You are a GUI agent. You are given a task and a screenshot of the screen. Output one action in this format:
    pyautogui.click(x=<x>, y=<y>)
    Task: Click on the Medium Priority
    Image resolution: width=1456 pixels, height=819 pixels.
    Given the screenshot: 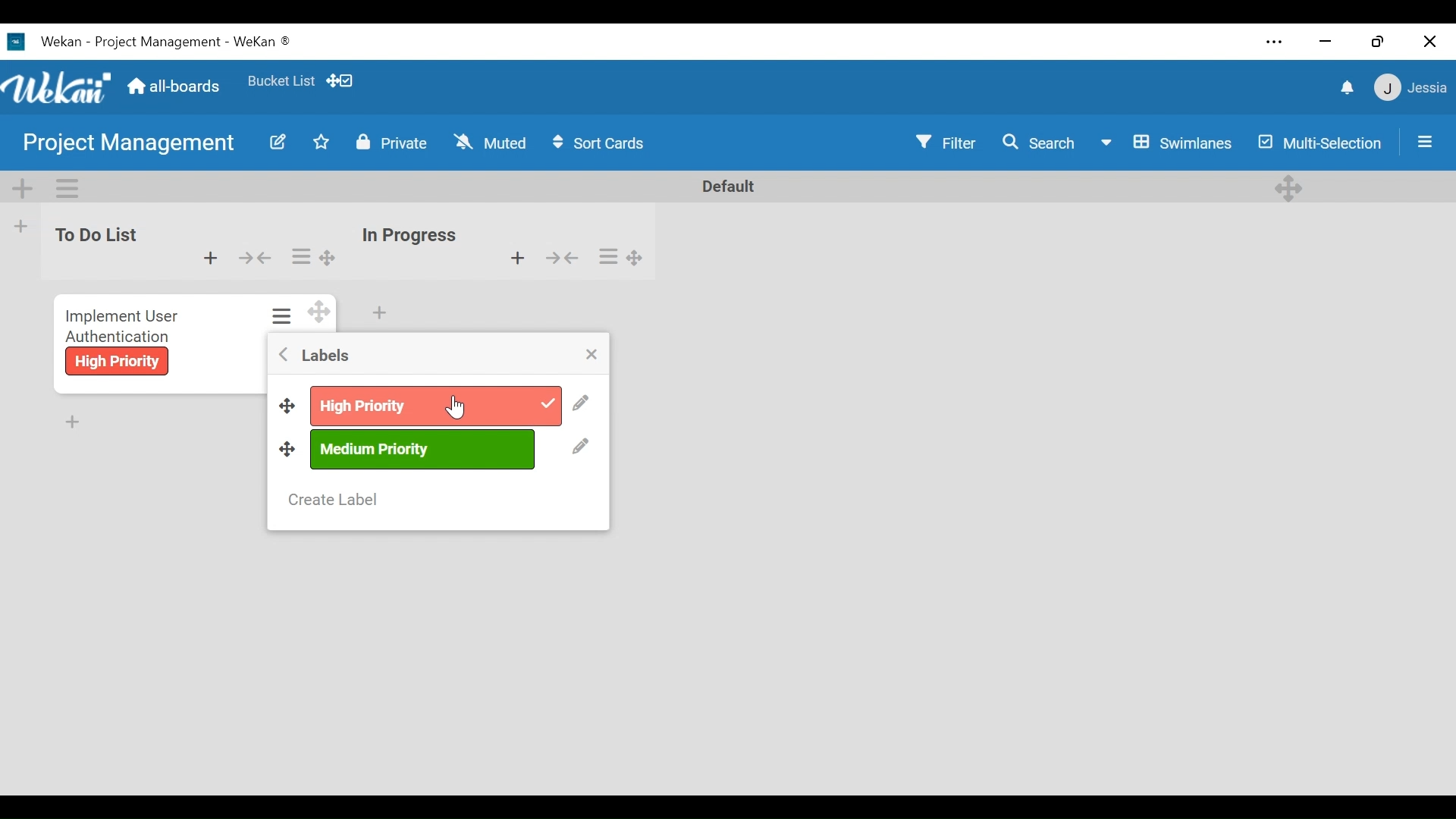 What is the action you would take?
    pyautogui.click(x=425, y=449)
    